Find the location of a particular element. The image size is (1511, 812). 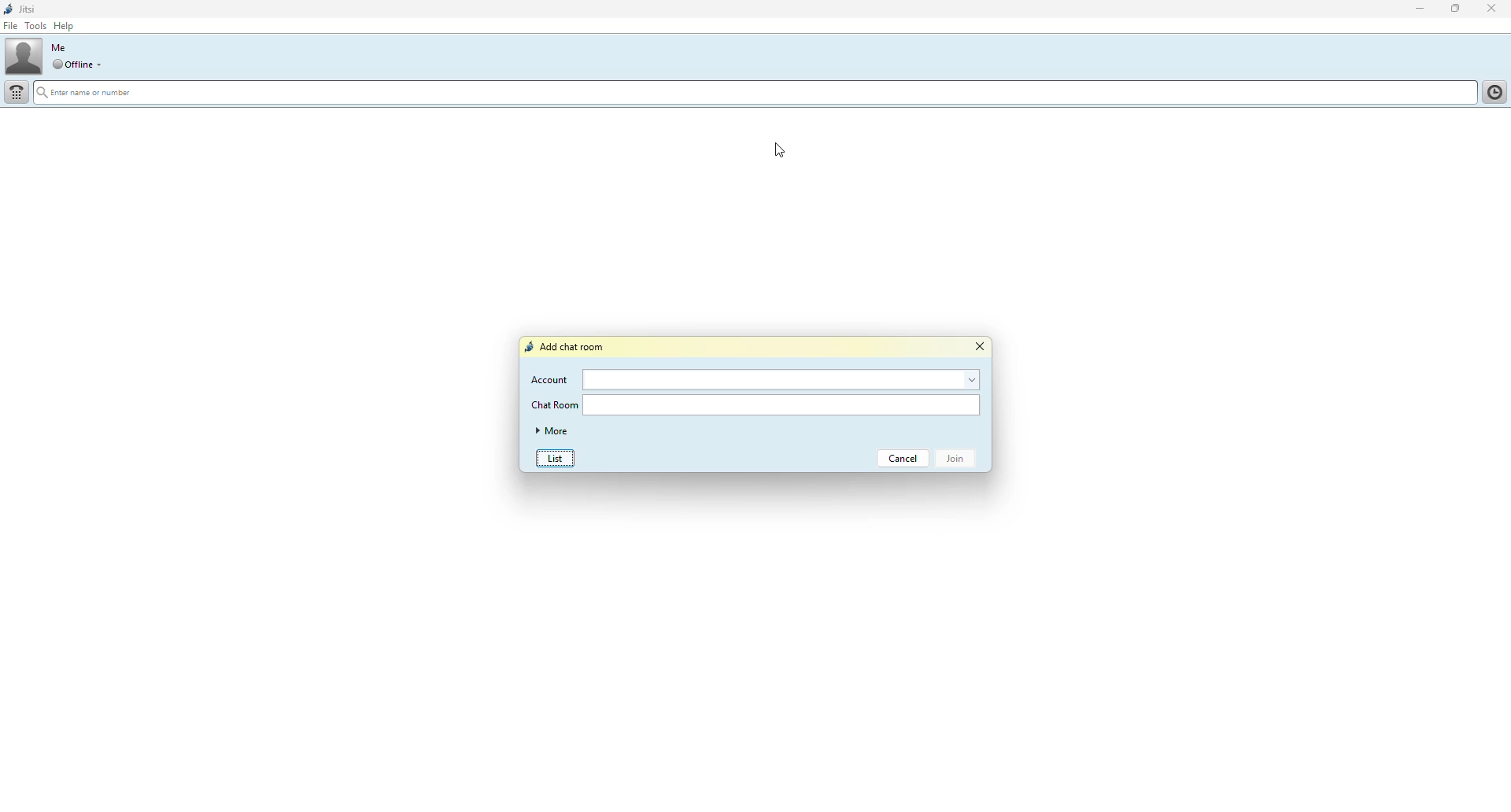

maximize is located at coordinates (1452, 8).